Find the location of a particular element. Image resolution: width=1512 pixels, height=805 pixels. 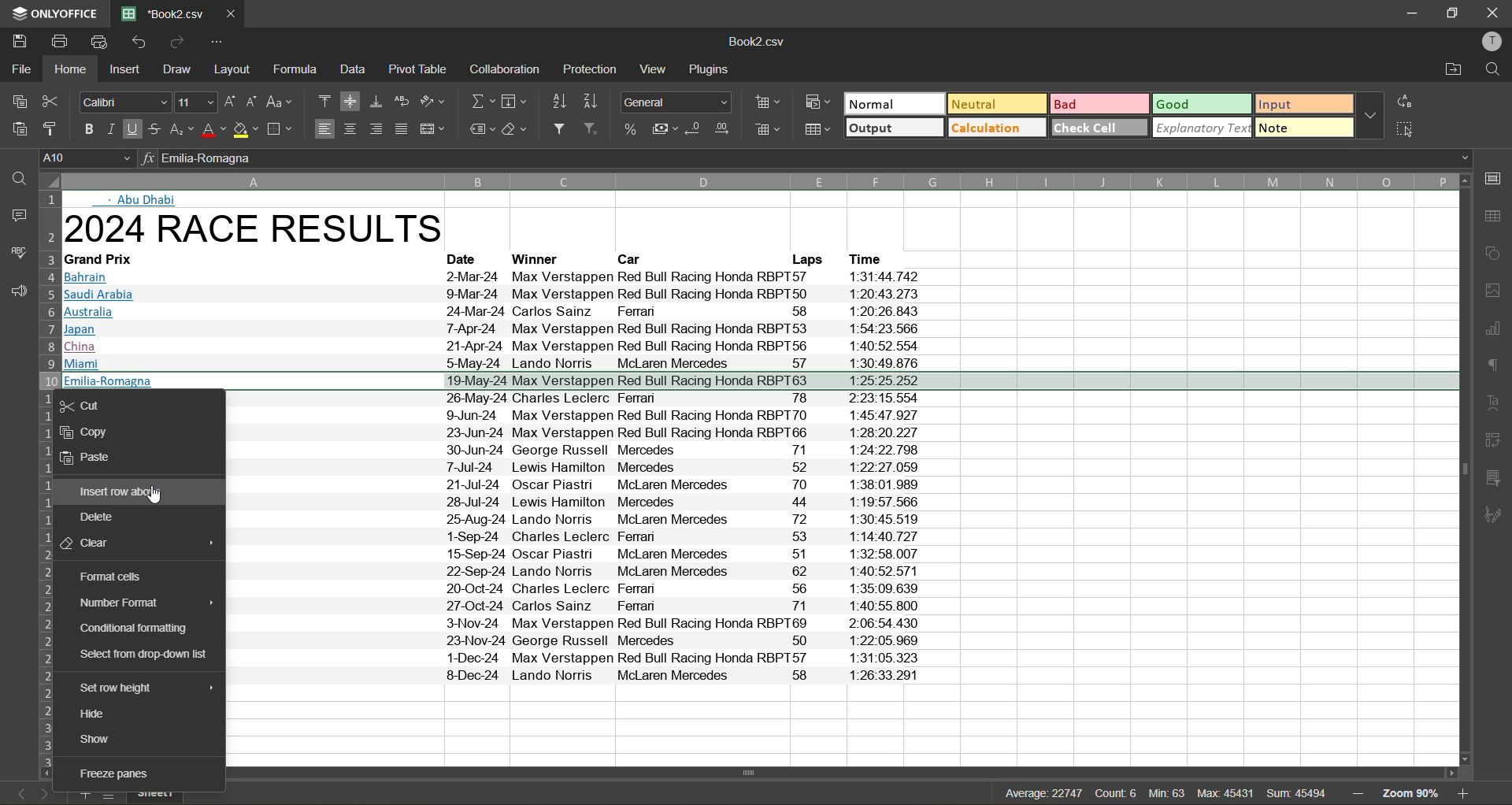

Abu Dhabi 8-Dec-24 Lando Norris McLaren Mercedes 58 1:26:33.291 is located at coordinates (575, 676).